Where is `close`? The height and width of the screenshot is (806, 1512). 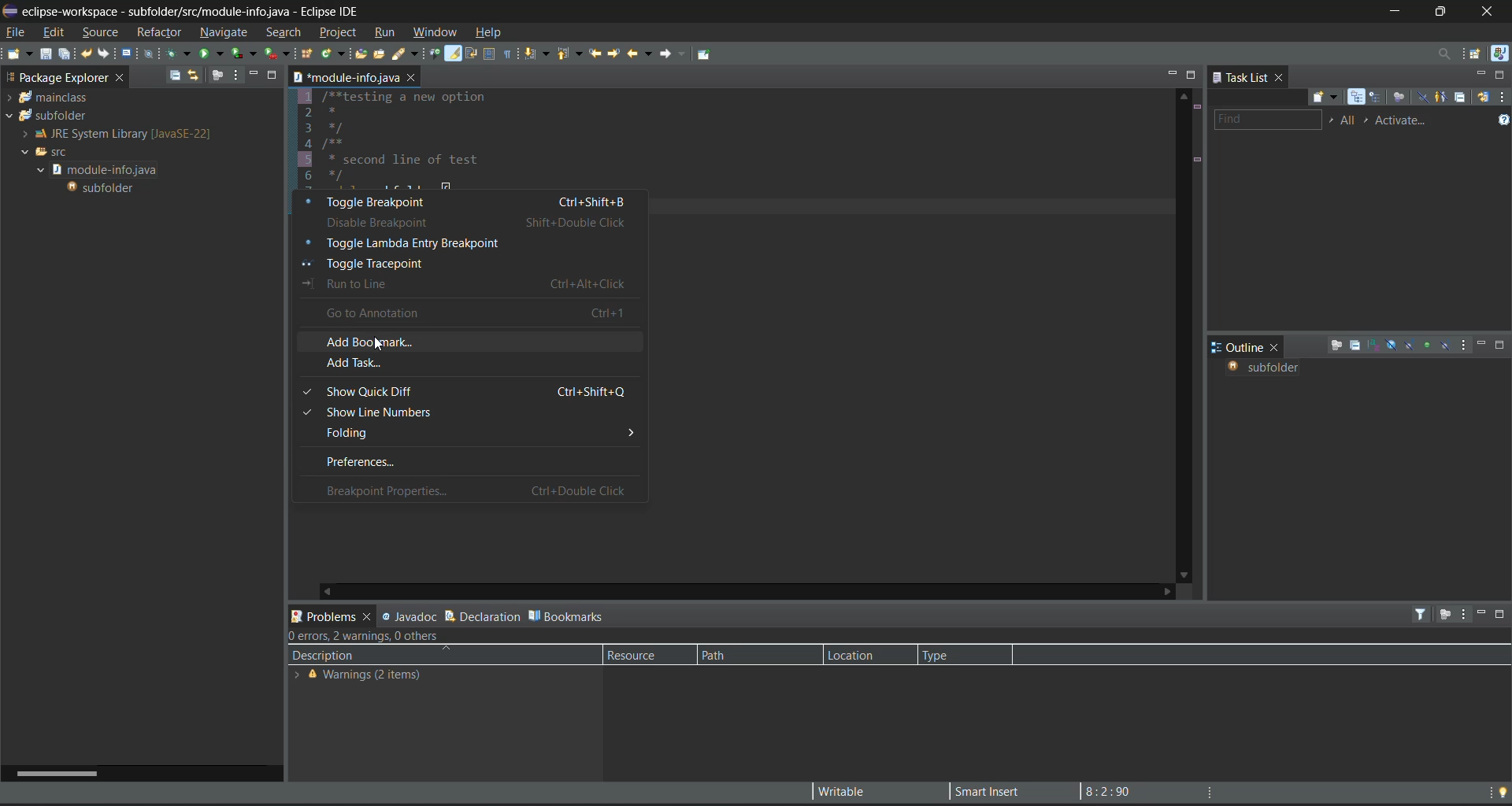 close is located at coordinates (1493, 12).